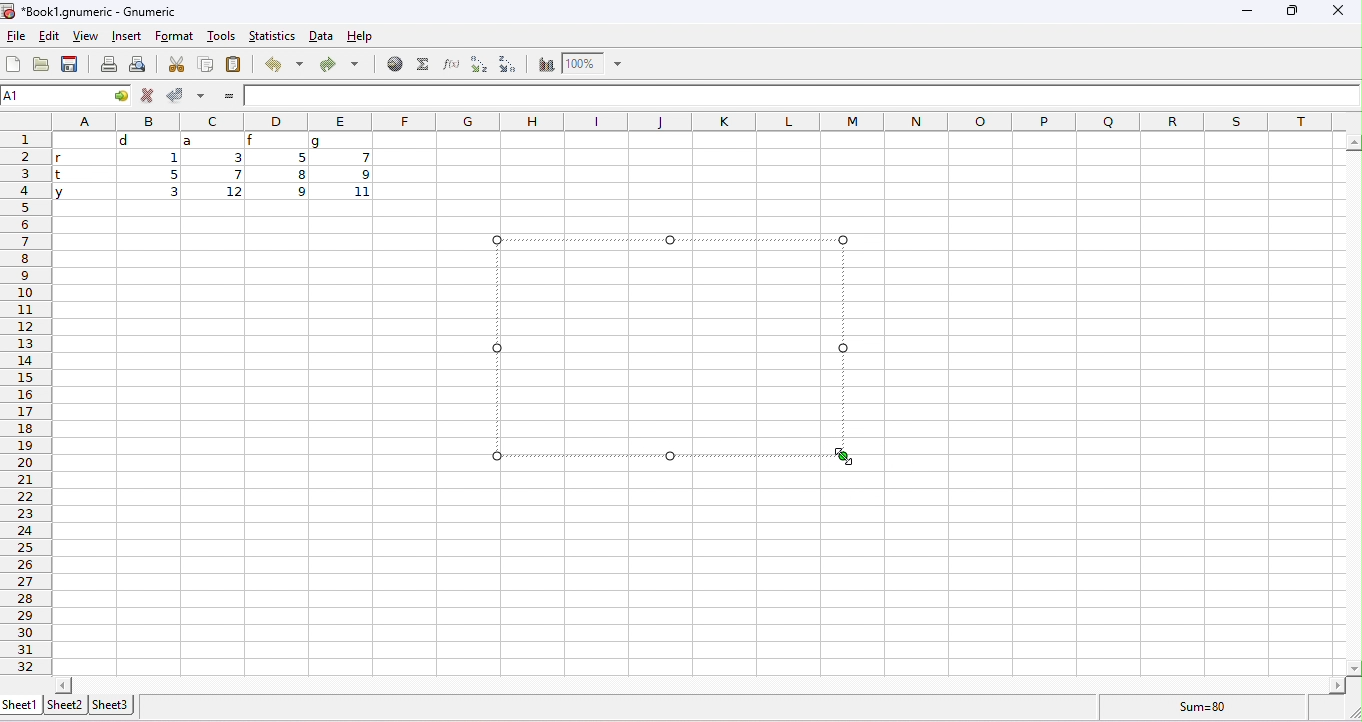 The image size is (1362, 722). I want to click on vertical slider, so click(1353, 403).